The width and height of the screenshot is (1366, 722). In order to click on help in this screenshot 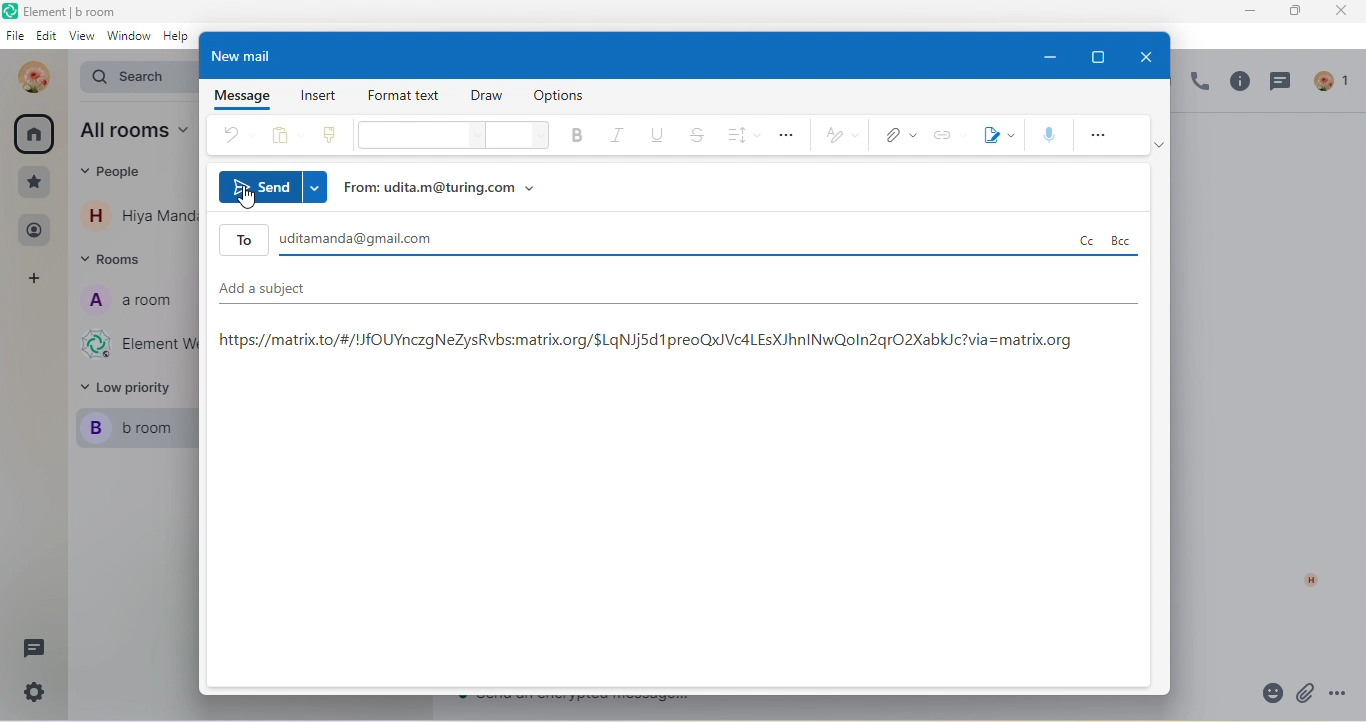, I will do `click(180, 42)`.